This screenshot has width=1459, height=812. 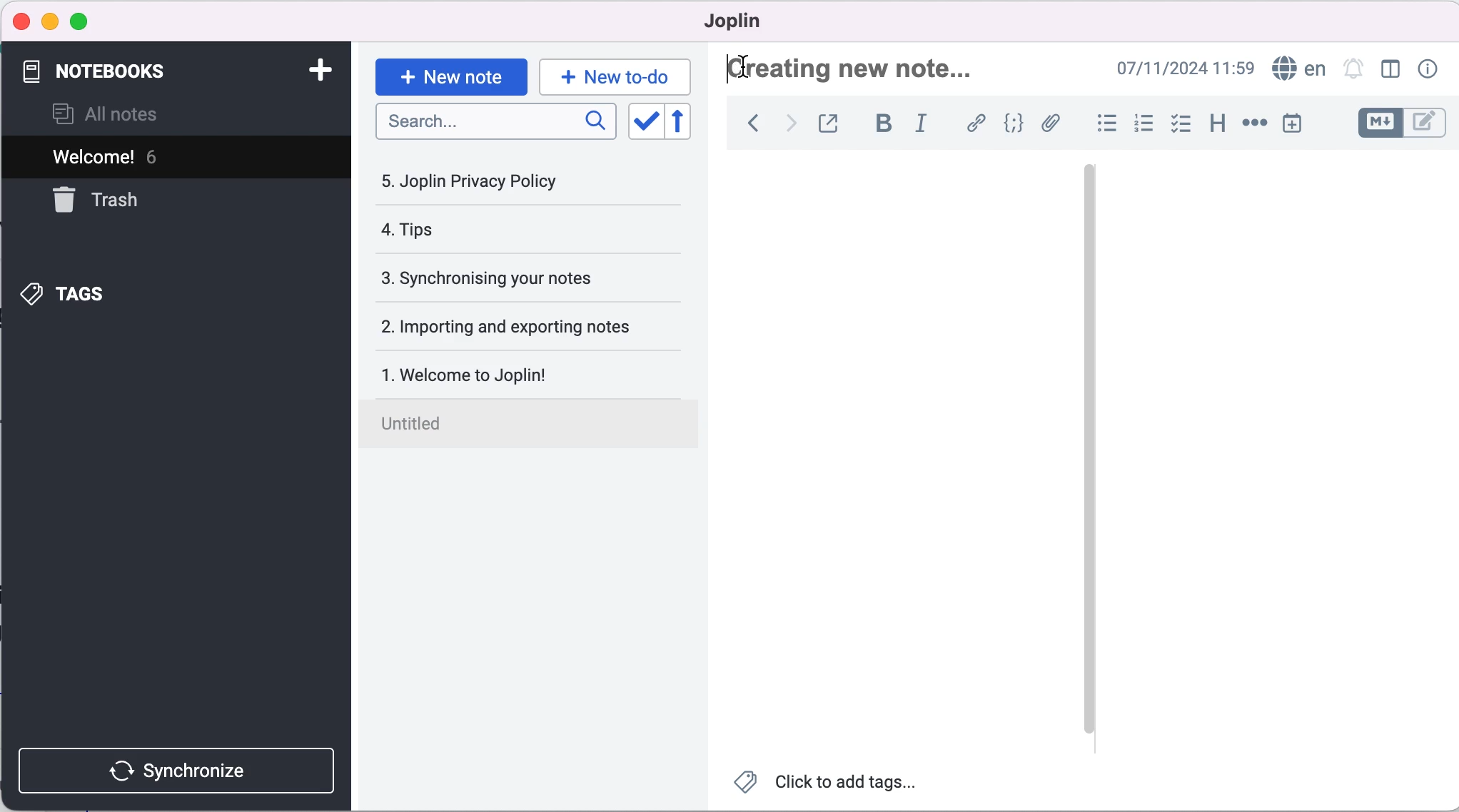 What do you see at coordinates (1104, 122) in the screenshot?
I see `bulleted list` at bounding box center [1104, 122].